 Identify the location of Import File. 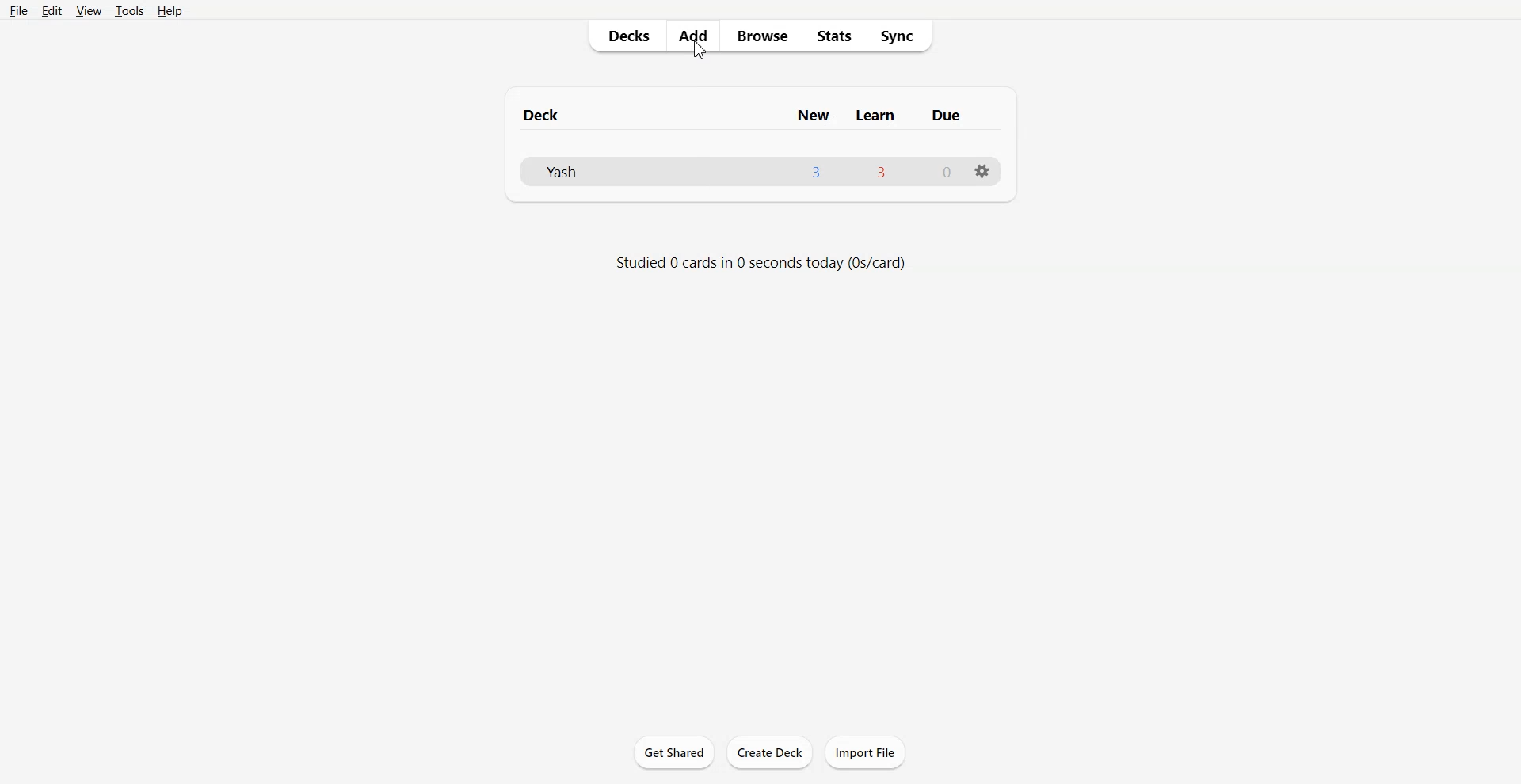
(866, 752).